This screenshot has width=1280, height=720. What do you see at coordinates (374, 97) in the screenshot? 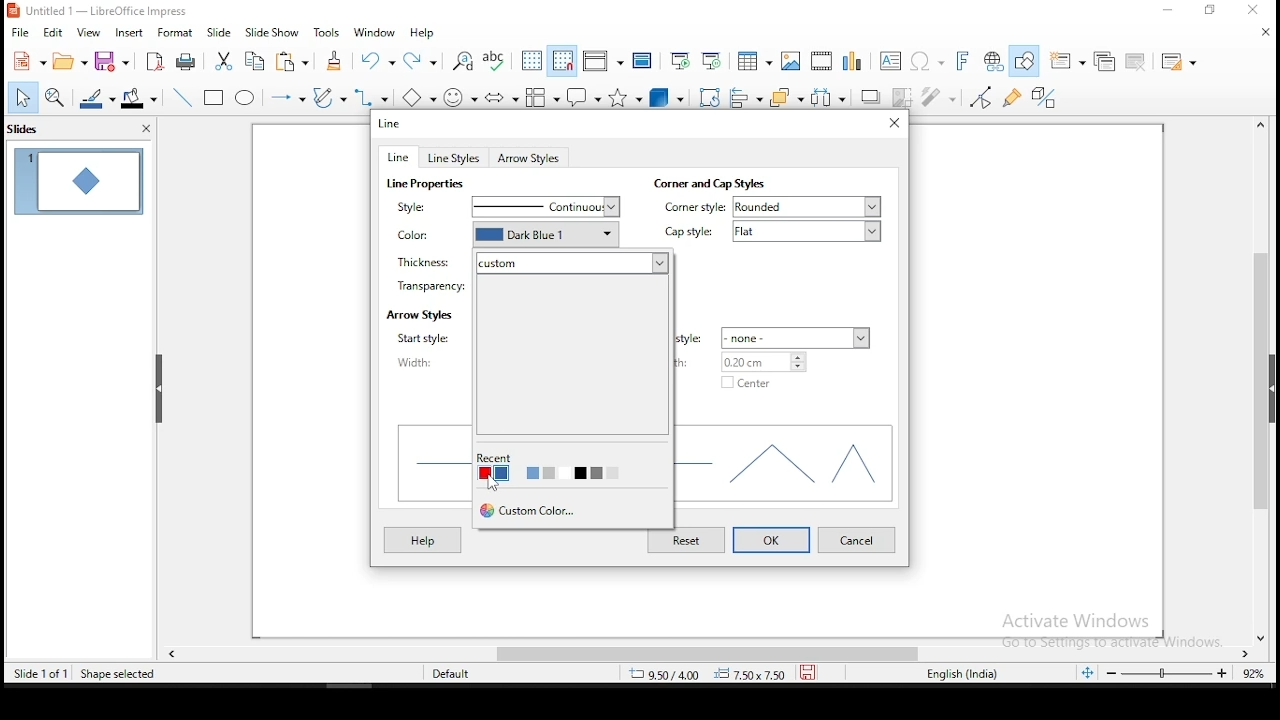
I see `connectors` at bounding box center [374, 97].